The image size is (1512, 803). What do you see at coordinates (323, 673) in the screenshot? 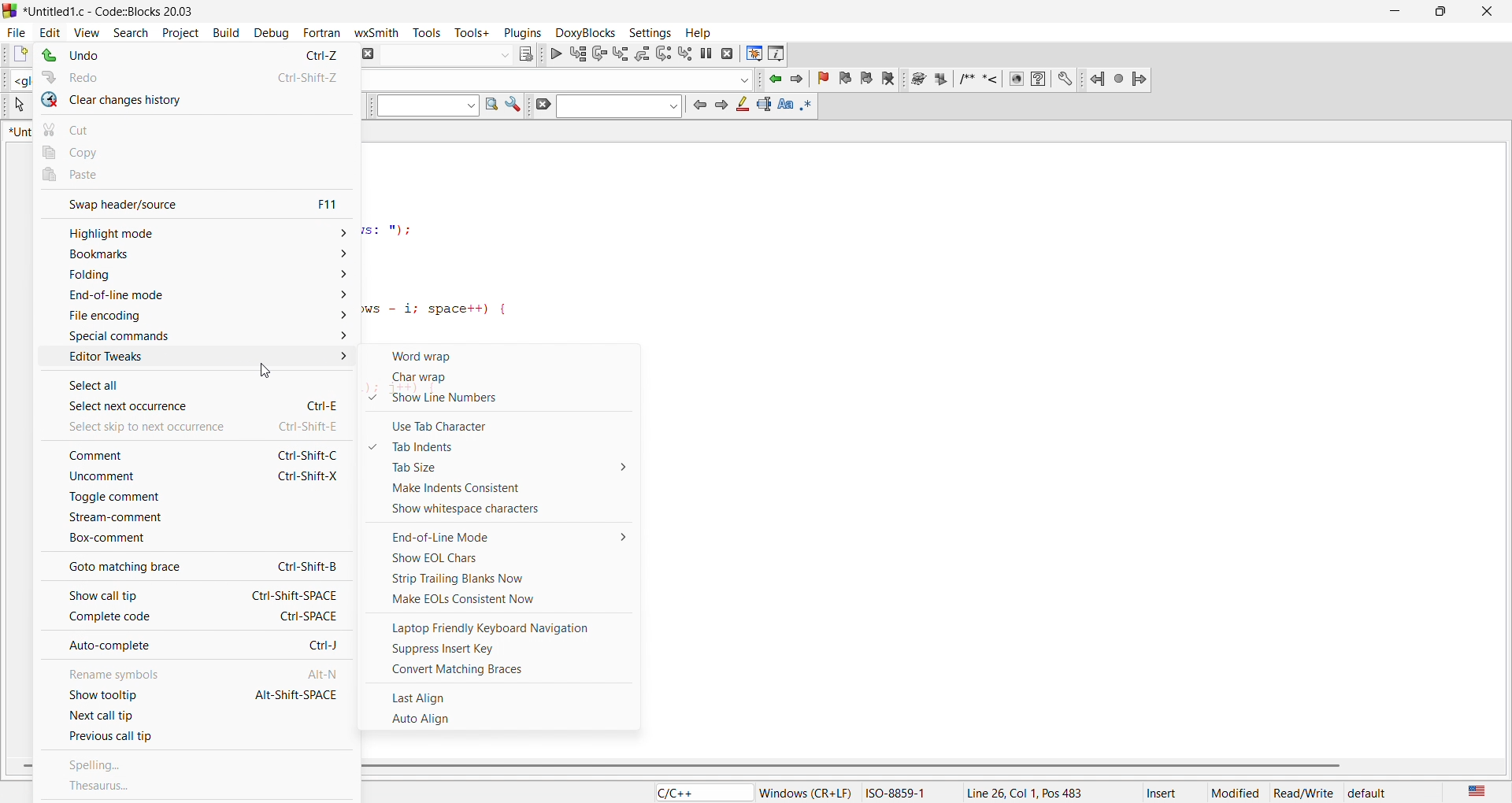
I see `Alt-N` at bounding box center [323, 673].